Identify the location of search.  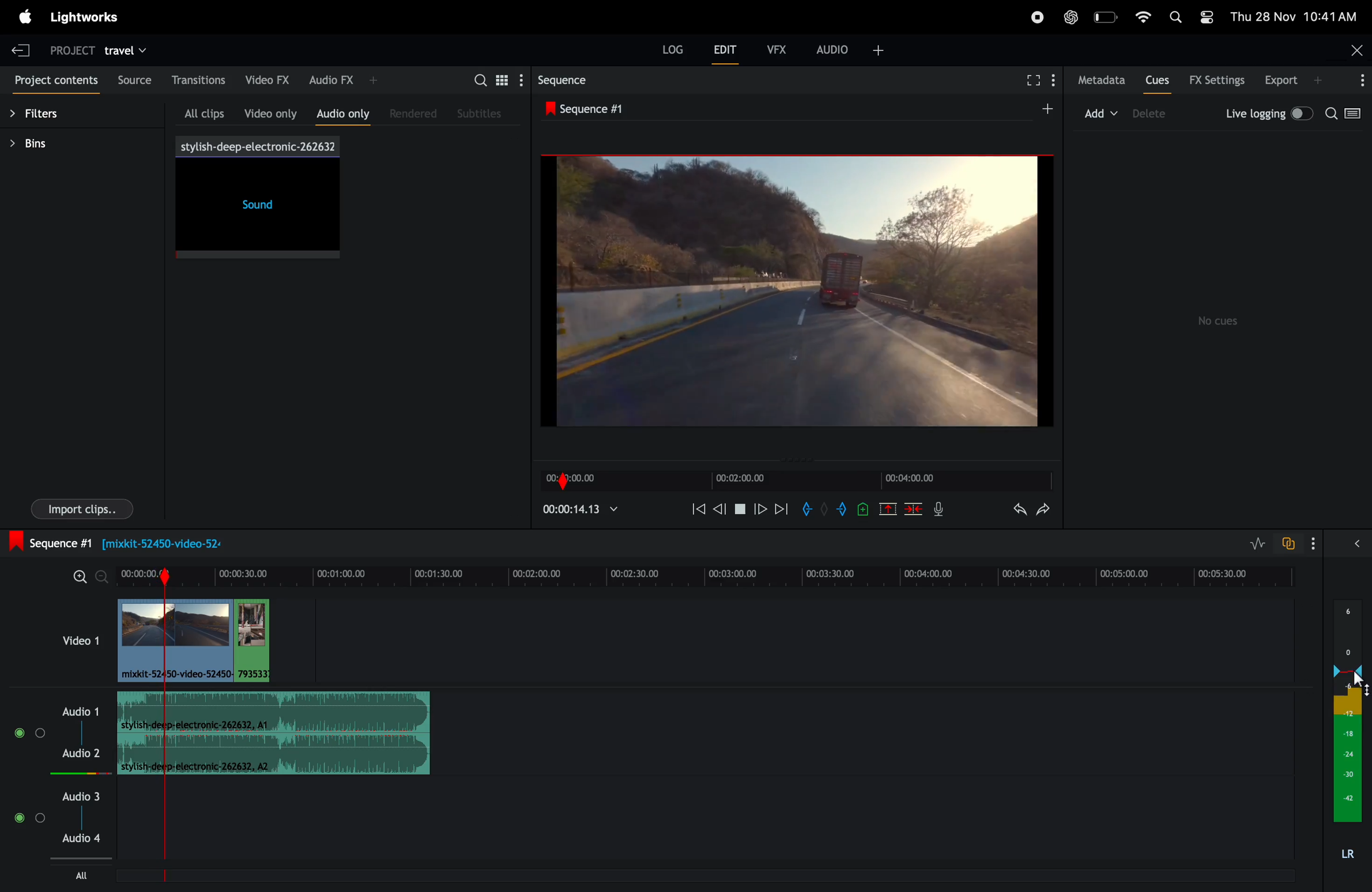
(1330, 114).